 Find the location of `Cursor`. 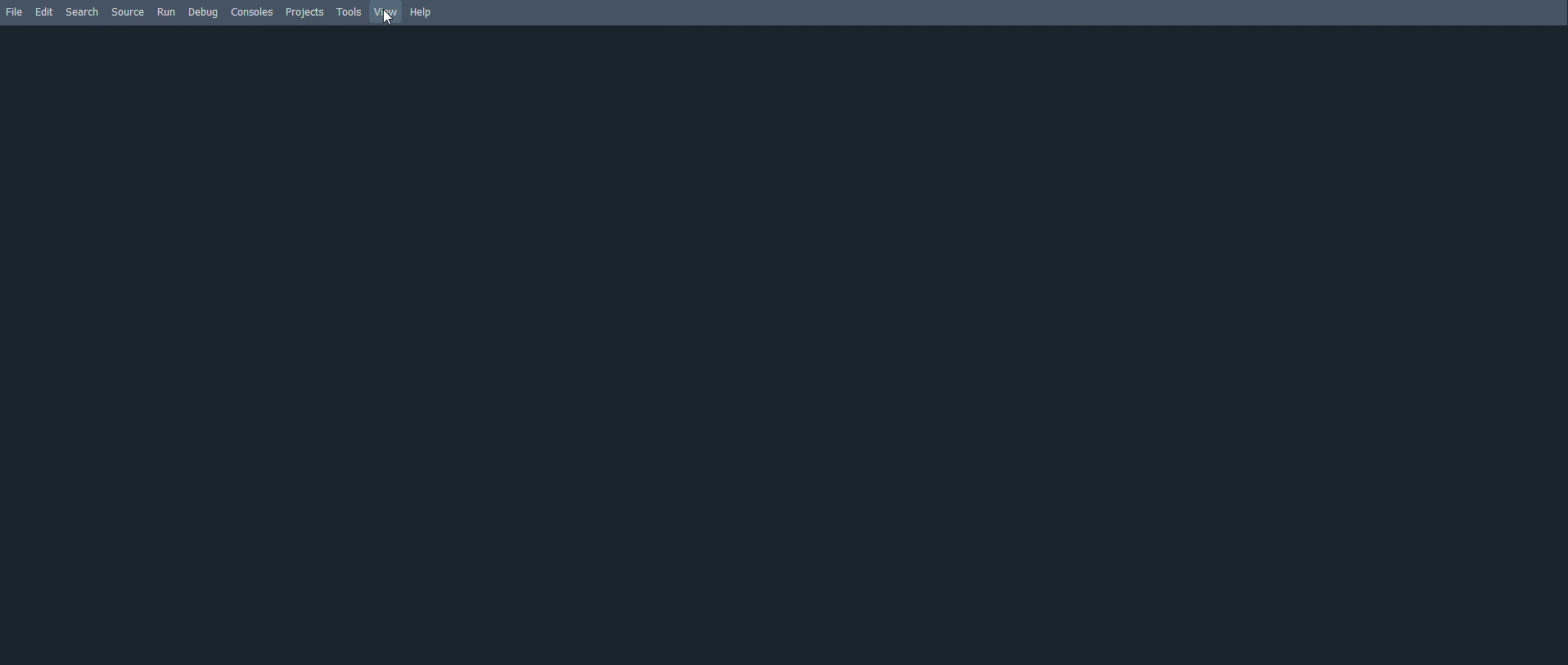

Cursor is located at coordinates (388, 17).